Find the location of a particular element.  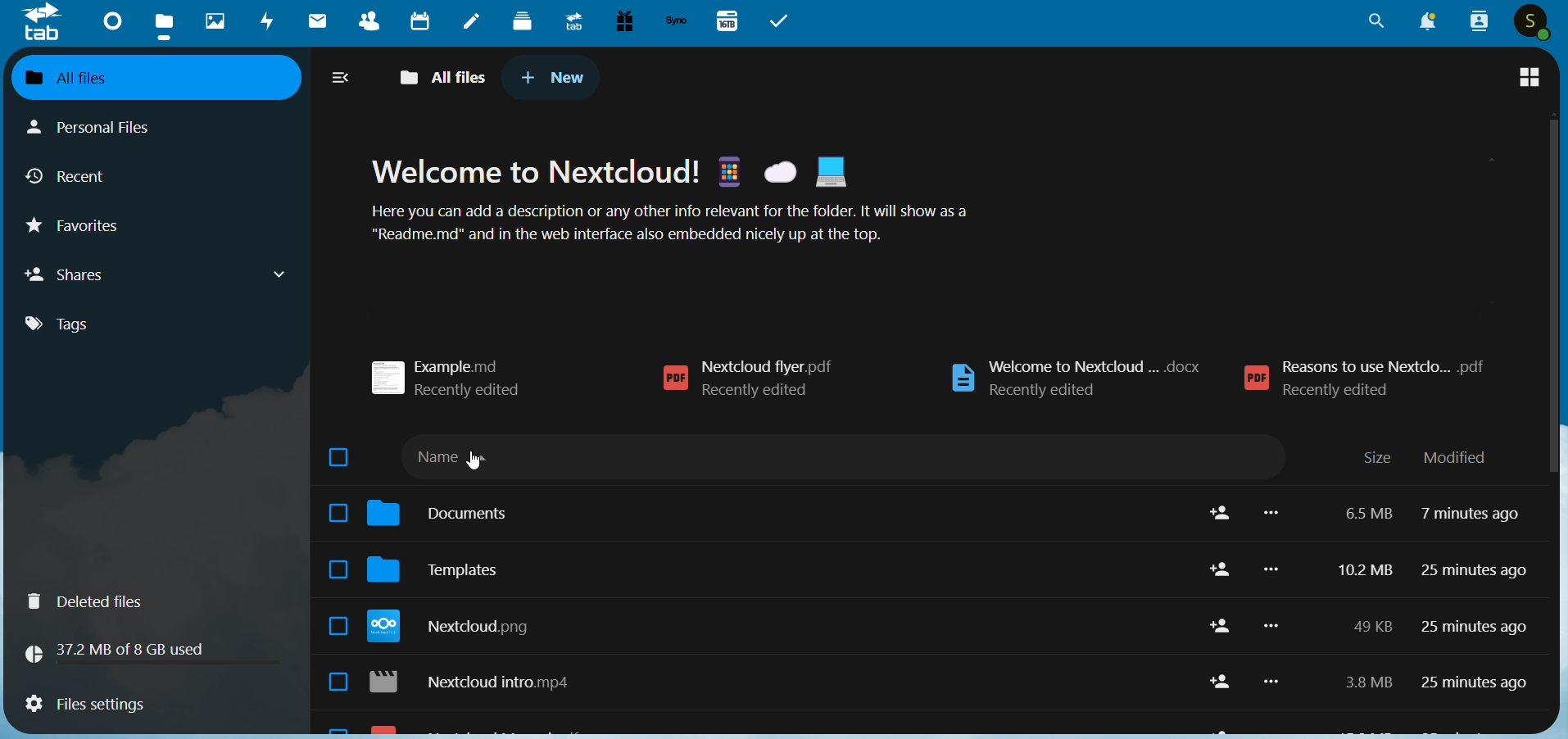

more is located at coordinates (1279, 599).